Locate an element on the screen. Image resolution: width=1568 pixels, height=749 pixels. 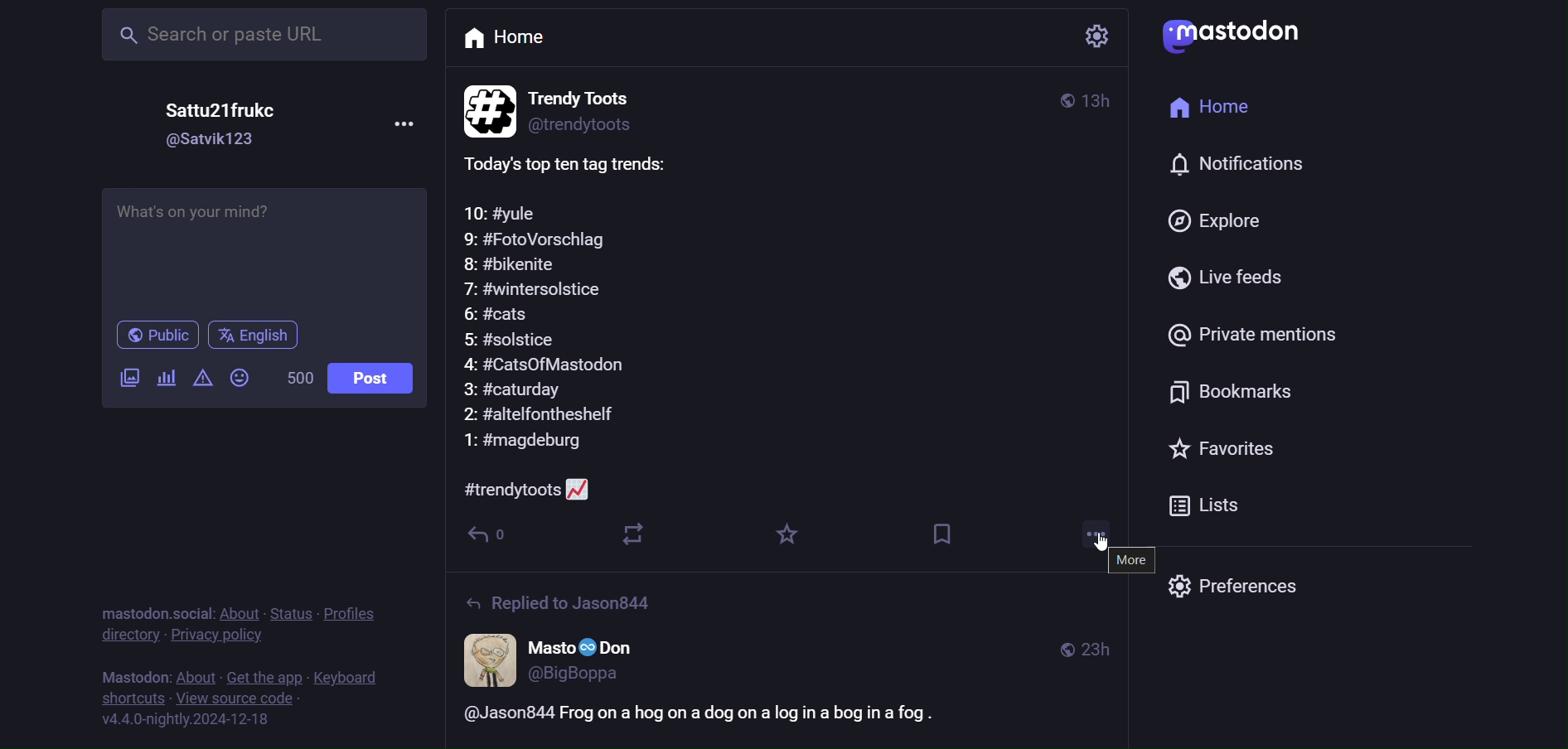
text is located at coordinates (150, 605).